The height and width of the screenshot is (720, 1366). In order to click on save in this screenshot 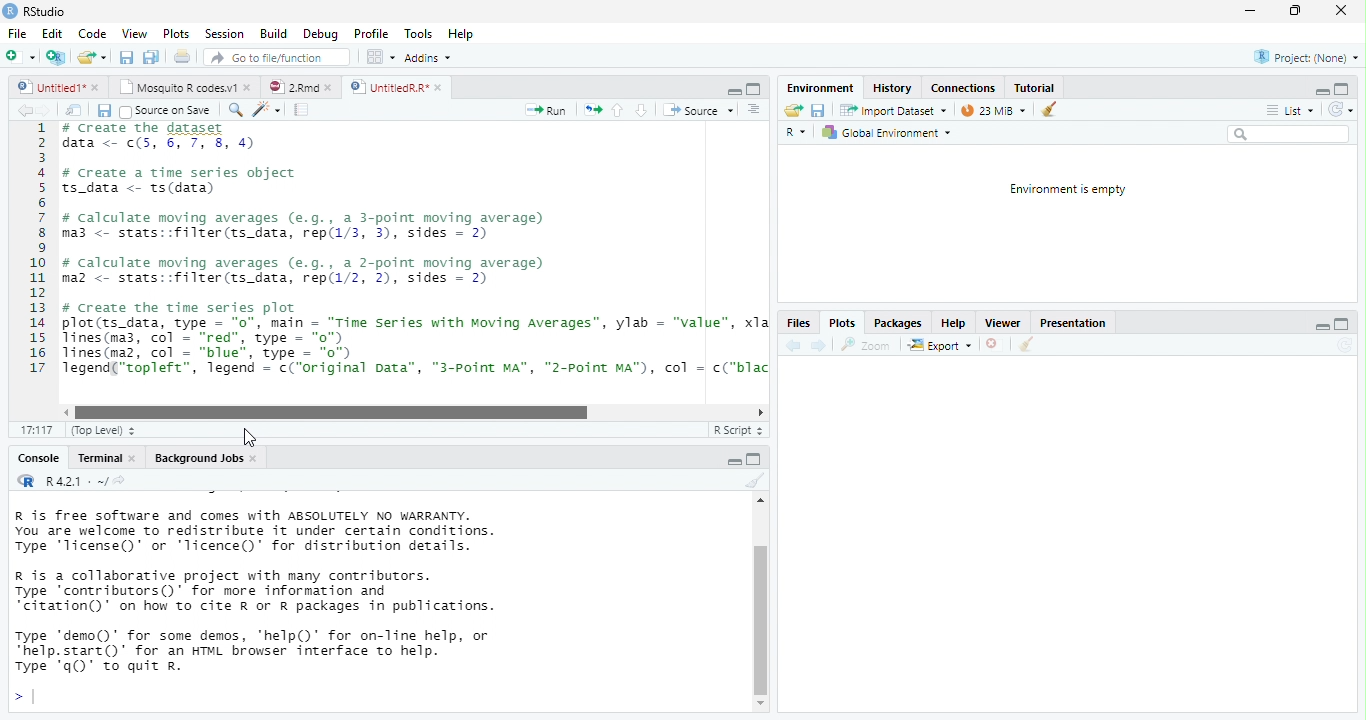, I will do `click(103, 111)`.